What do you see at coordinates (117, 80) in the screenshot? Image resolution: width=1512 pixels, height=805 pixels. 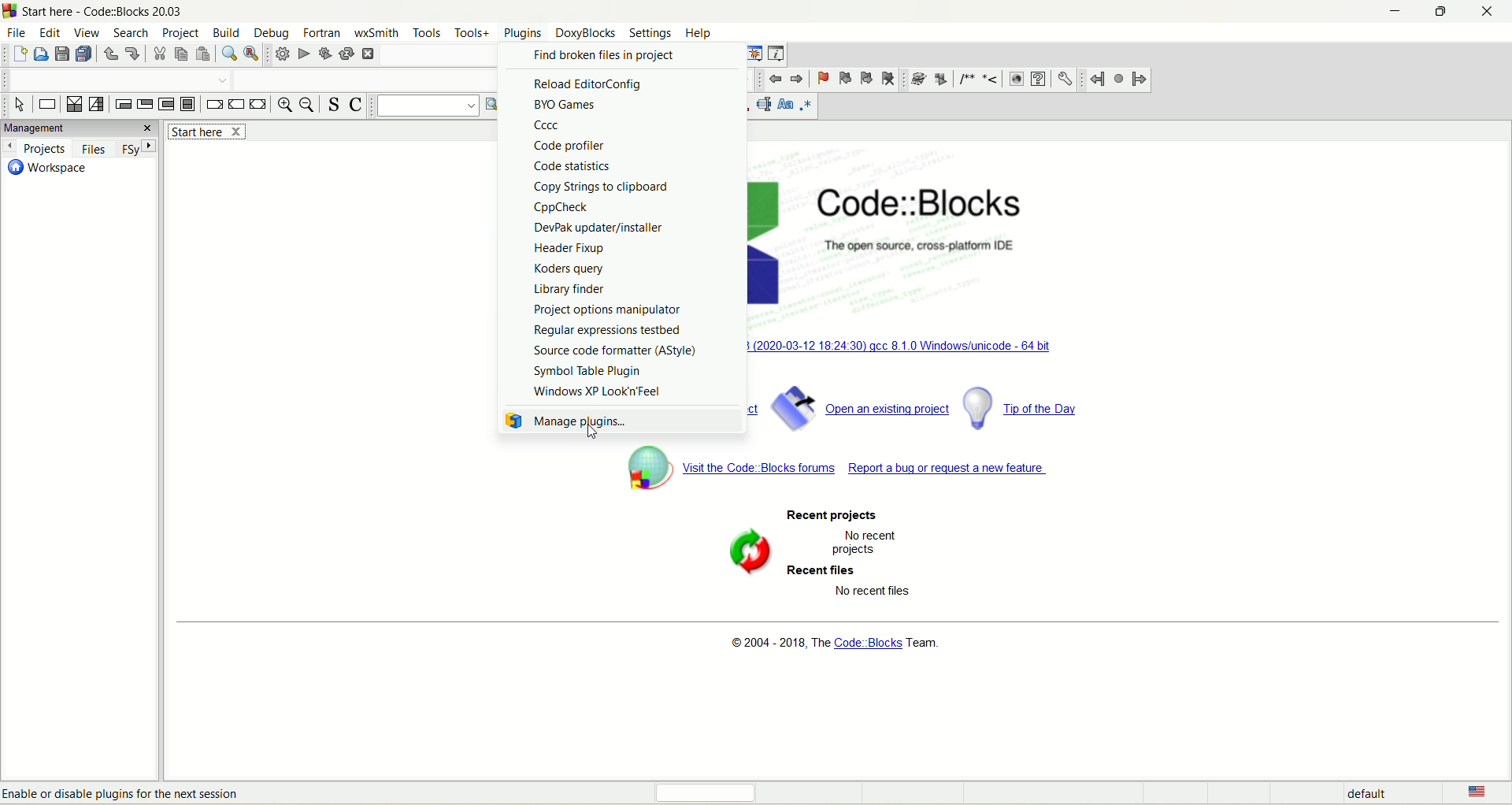 I see `Search` at bounding box center [117, 80].